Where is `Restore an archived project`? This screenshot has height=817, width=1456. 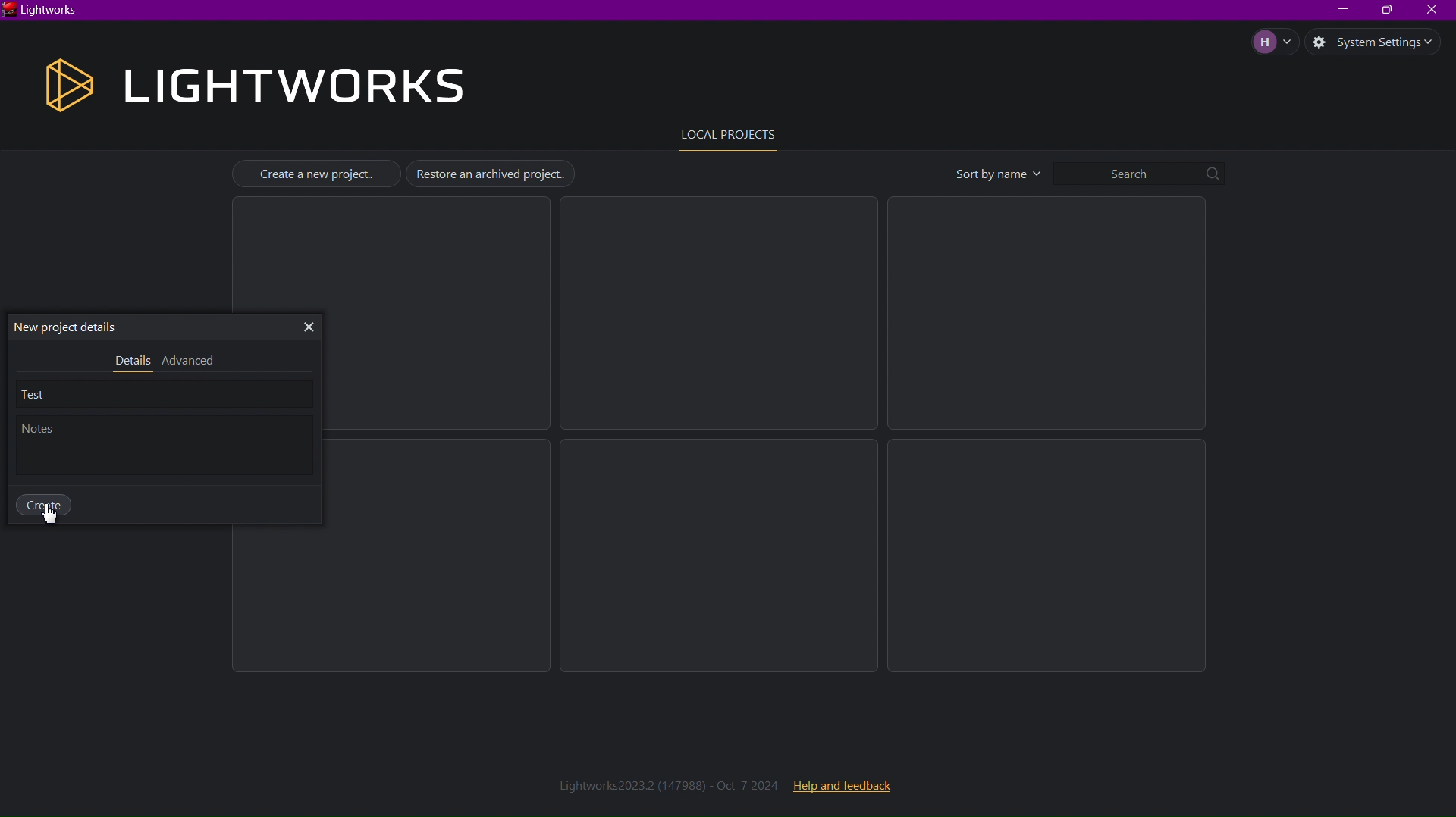 Restore an archived project is located at coordinates (489, 174).